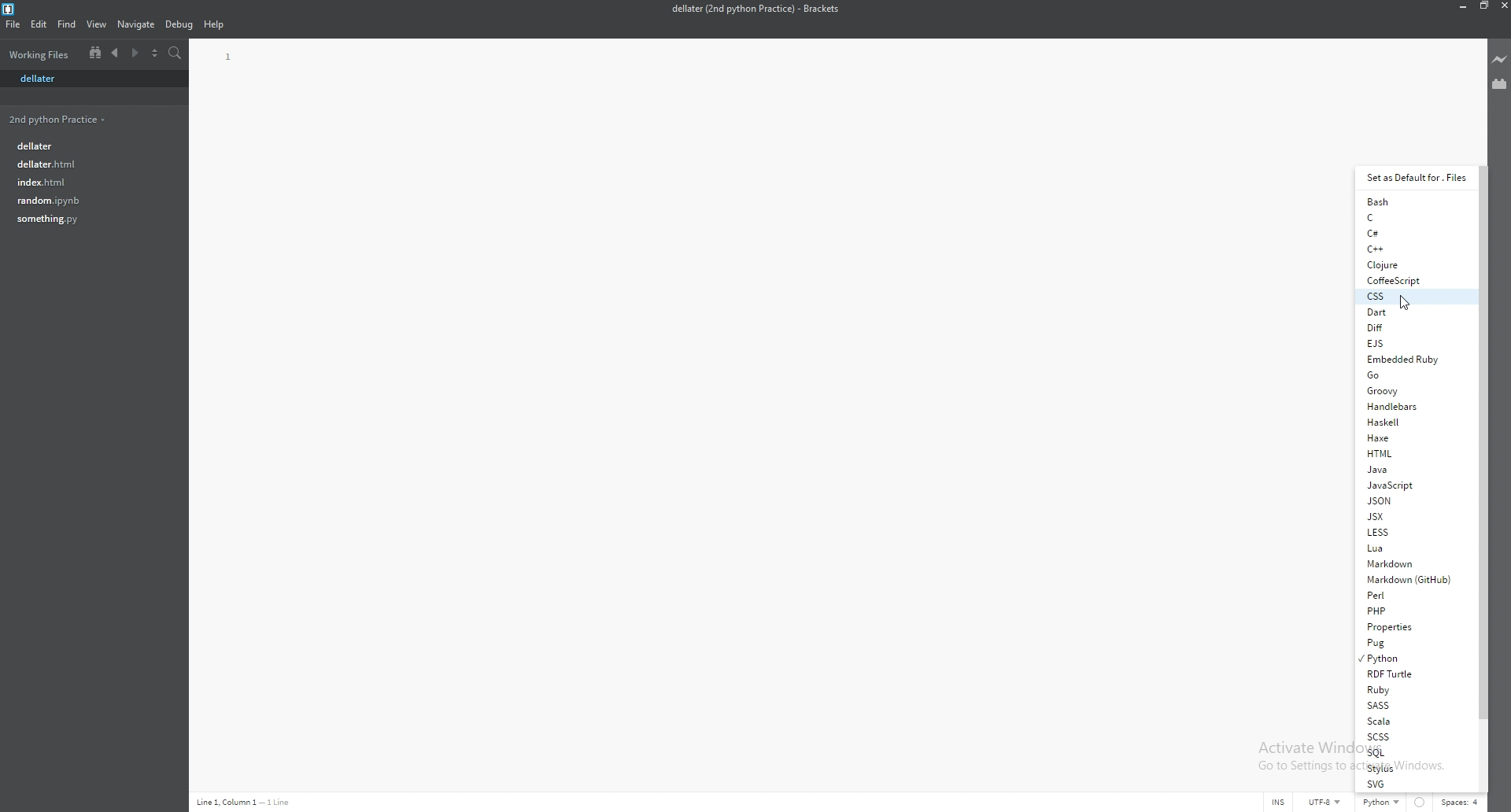  What do you see at coordinates (95, 52) in the screenshot?
I see `tree view` at bounding box center [95, 52].